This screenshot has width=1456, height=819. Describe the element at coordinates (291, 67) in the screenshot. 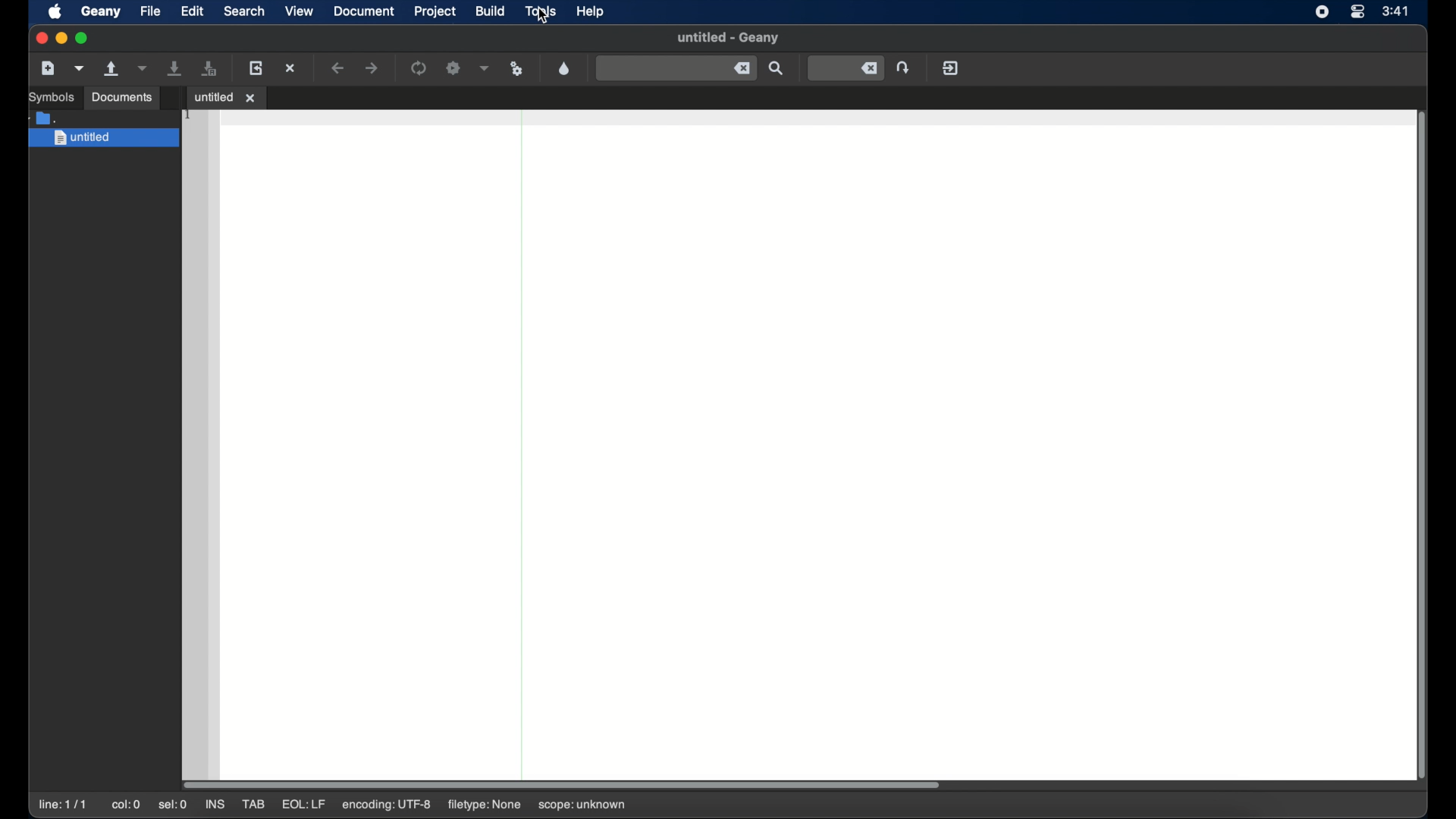

I see `close the current file` at that location.